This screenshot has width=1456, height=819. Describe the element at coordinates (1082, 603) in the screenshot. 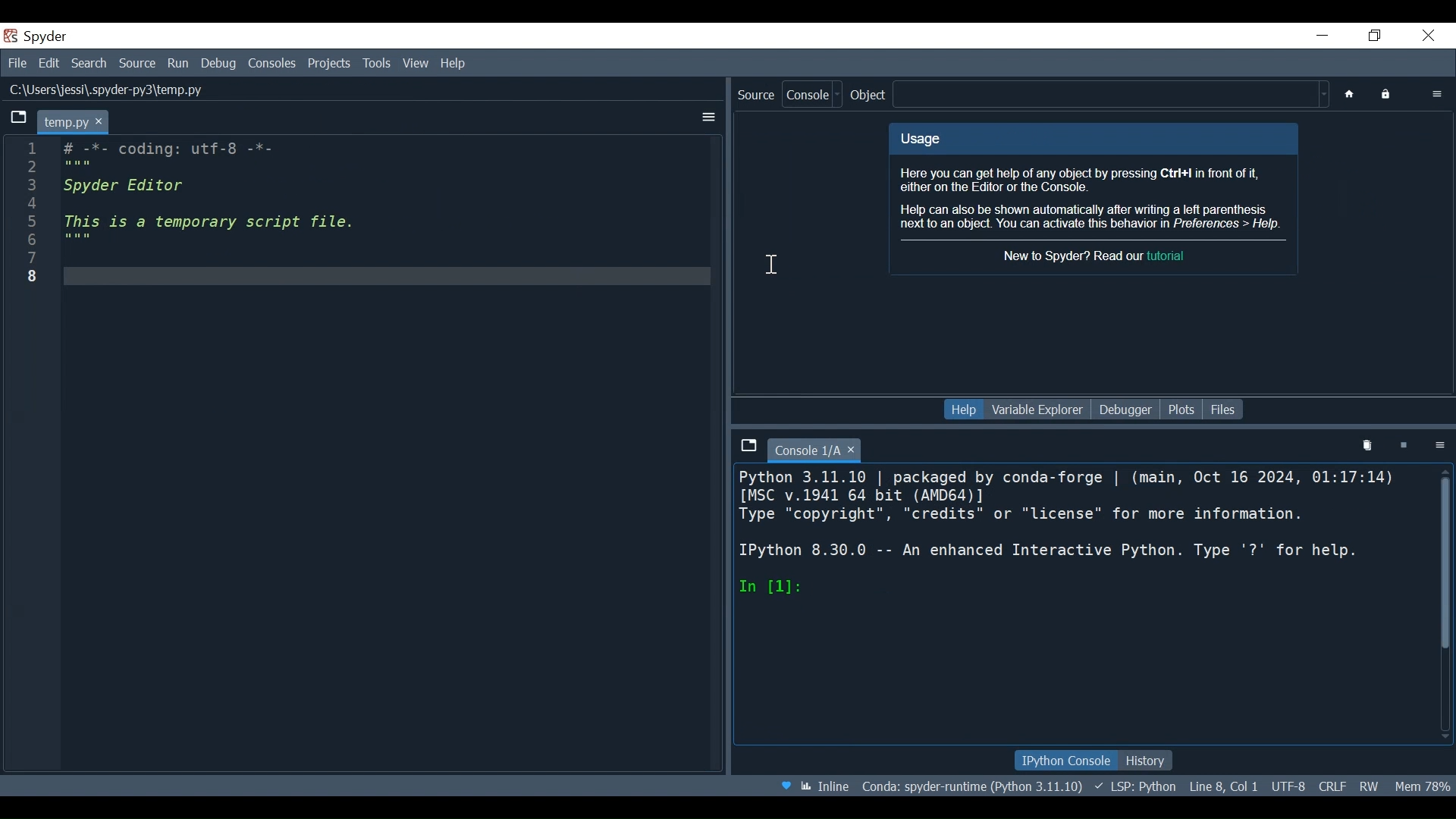

I see `Python 3.11.10 | packaged by conda-forge | (main, Oct 16 2024, 01:17:14) [MSC v.1941 64 bit (AMD64)] Type "copyright", "credits" or "license" for more information.  IPython 8.30.0 -- An enhanced Interactive Python. Type '?' for help.` at that location.